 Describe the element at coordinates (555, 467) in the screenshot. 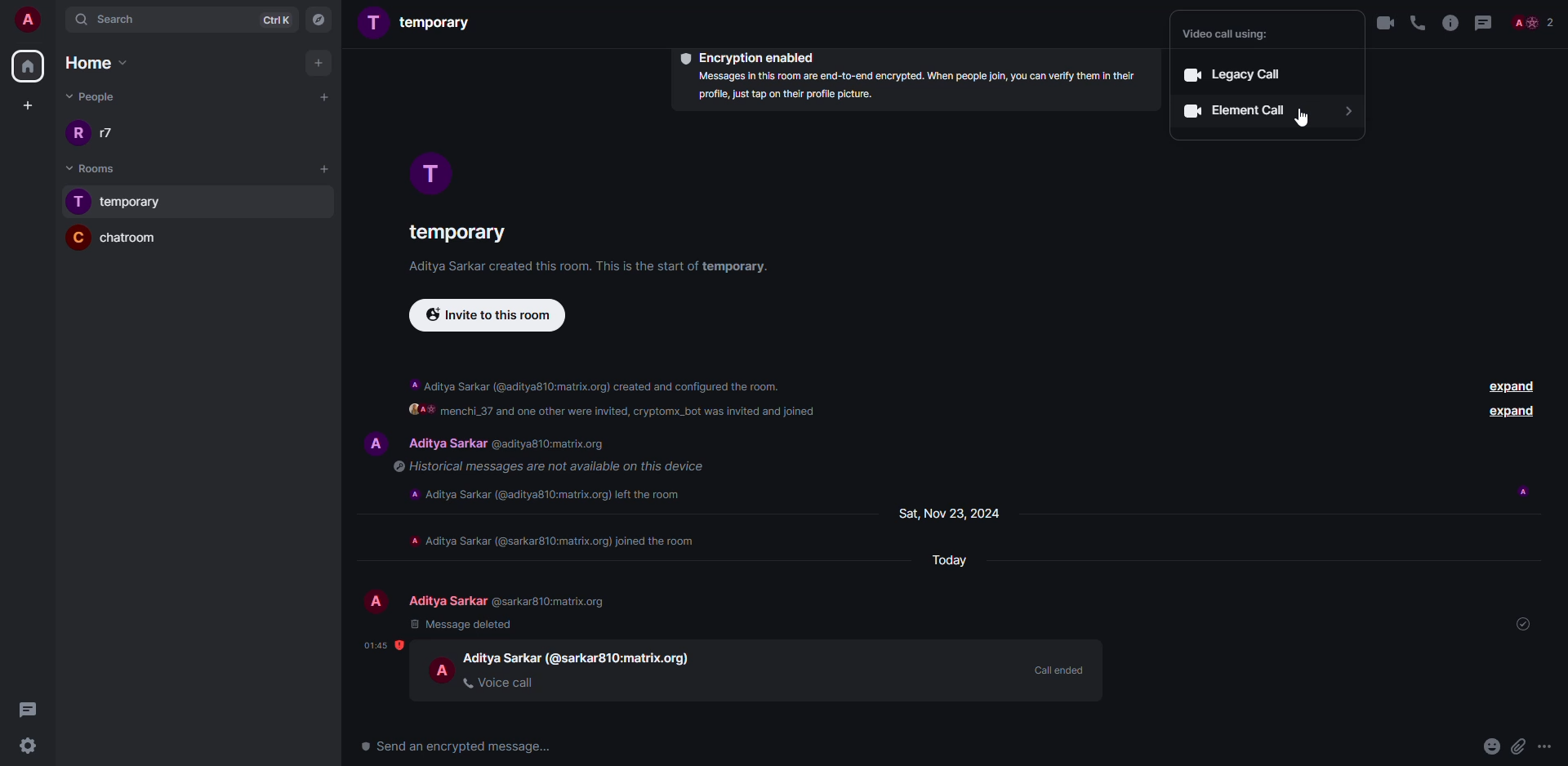

I see `info` at that location.